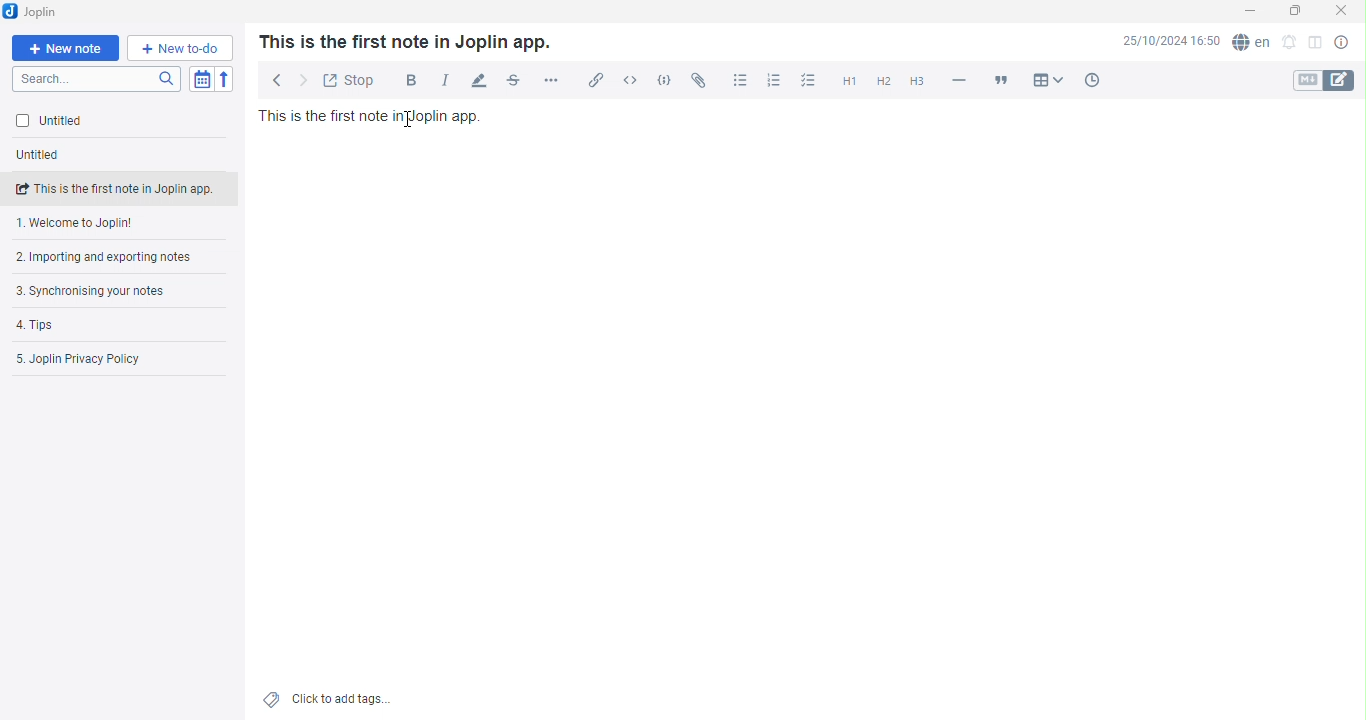  I want to click on Minimize, so click(1252, 12).